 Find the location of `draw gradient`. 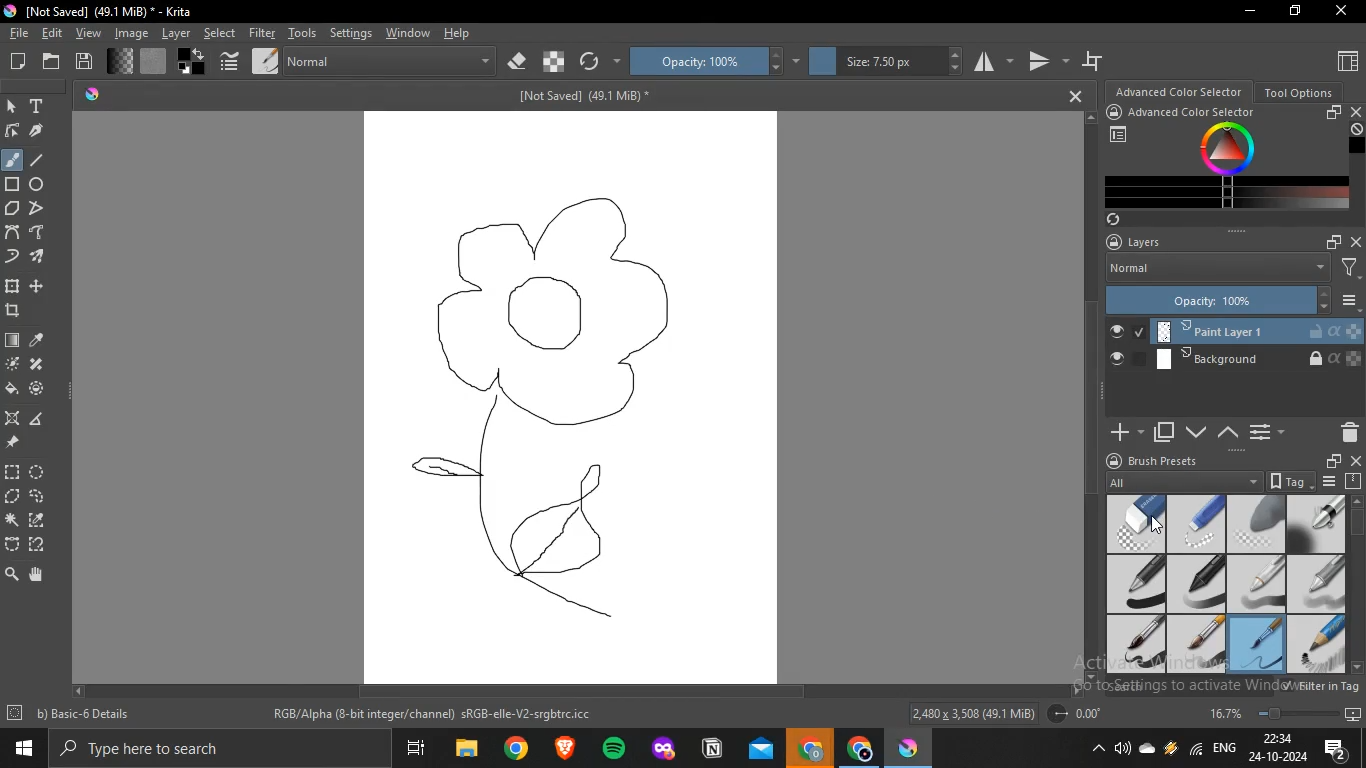

draw gradient is located at coordinates (13, 341).